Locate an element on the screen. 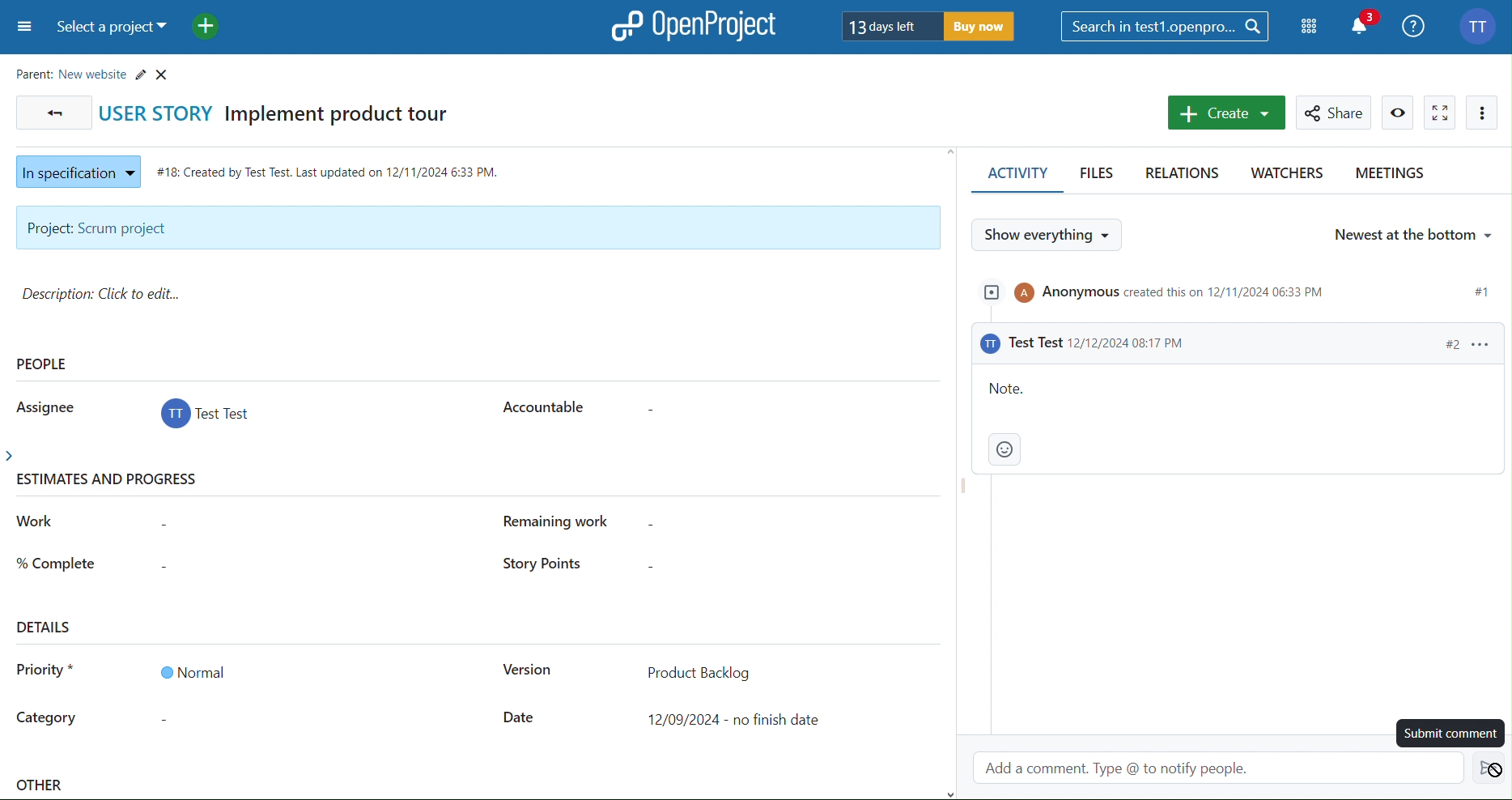  Priority is located at coordinates (45, 673).